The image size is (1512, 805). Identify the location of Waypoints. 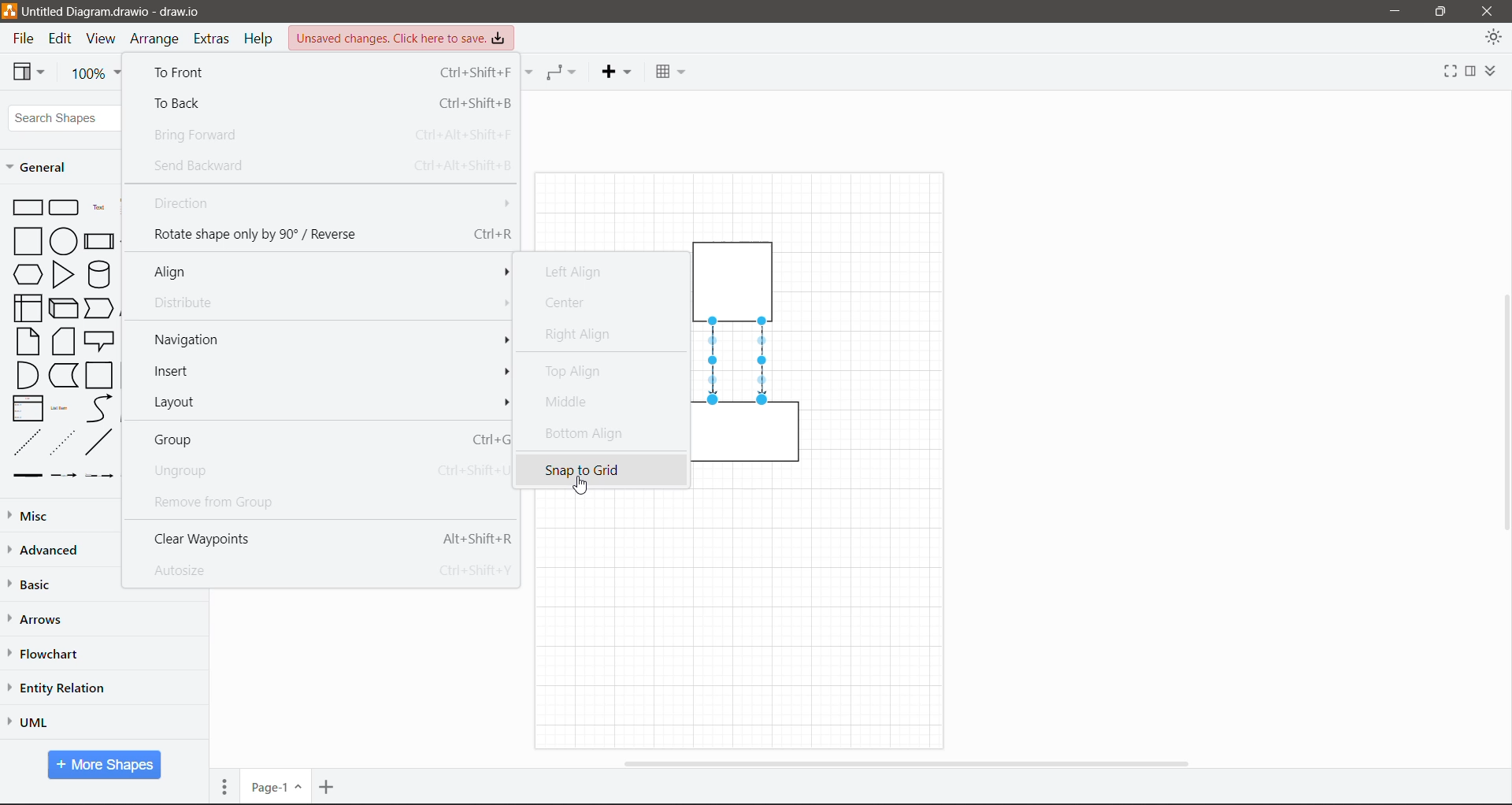
(562, 72).